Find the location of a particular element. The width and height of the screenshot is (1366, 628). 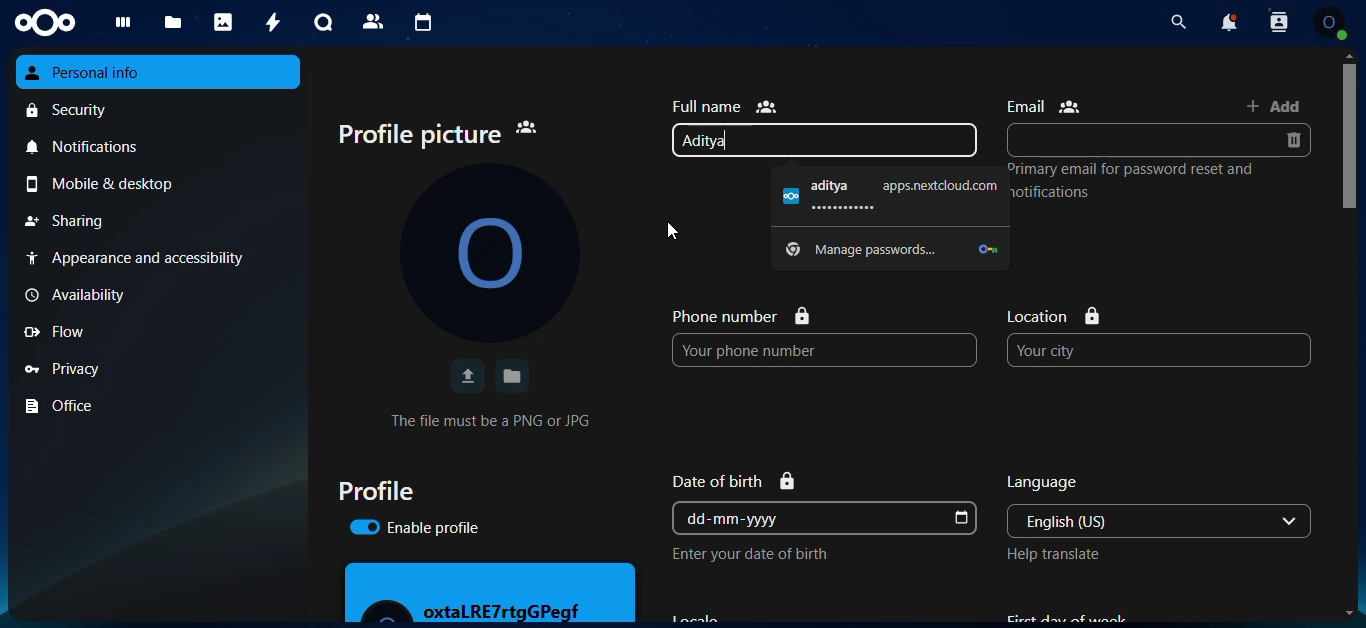

save is located at coordinates (513, 376).